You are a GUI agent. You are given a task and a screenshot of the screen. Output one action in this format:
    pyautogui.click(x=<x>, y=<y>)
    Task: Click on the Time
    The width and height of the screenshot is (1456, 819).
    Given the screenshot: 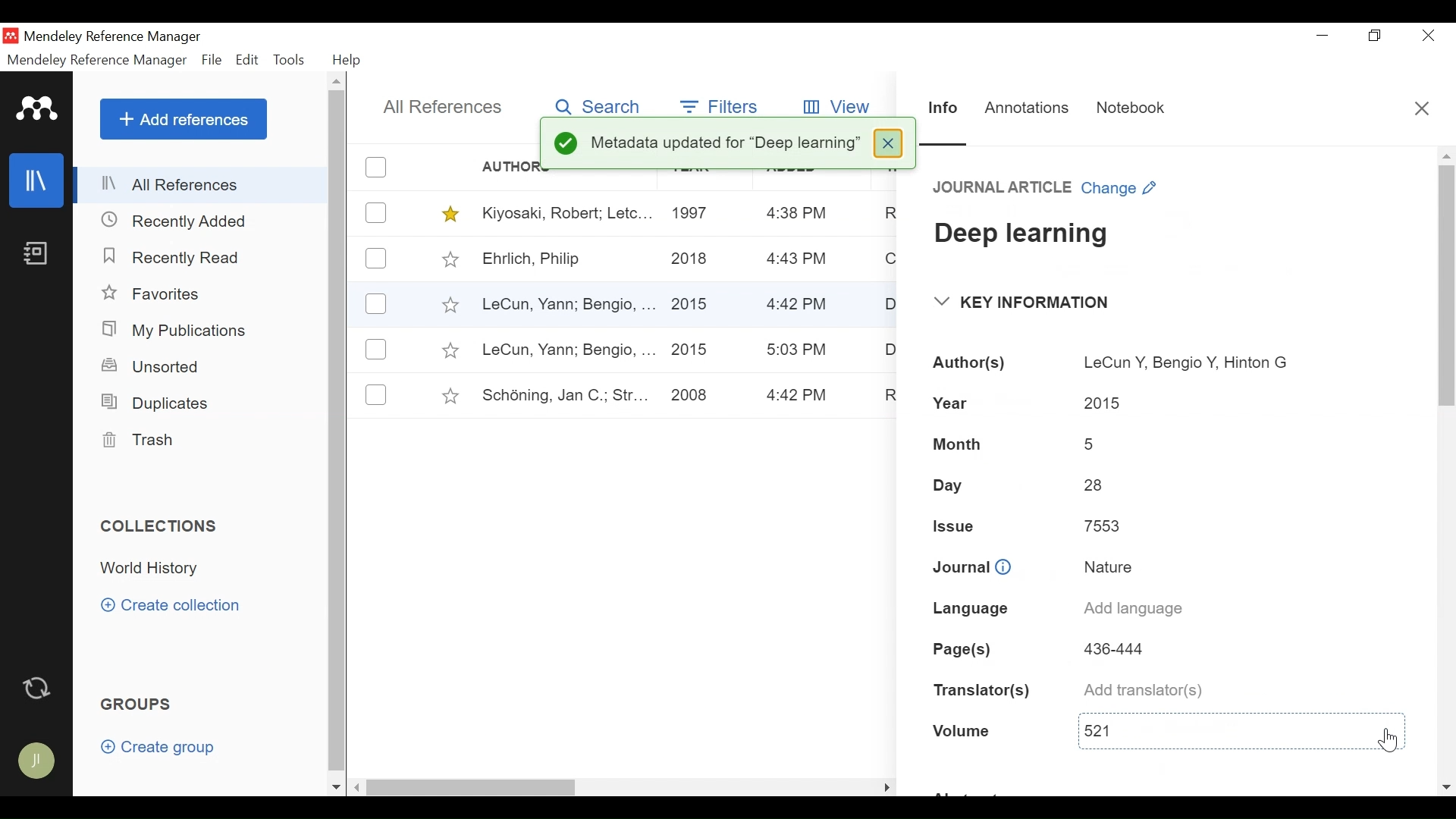 What is the action you would take?
    pyautogui.click(x=797, y=214)
    